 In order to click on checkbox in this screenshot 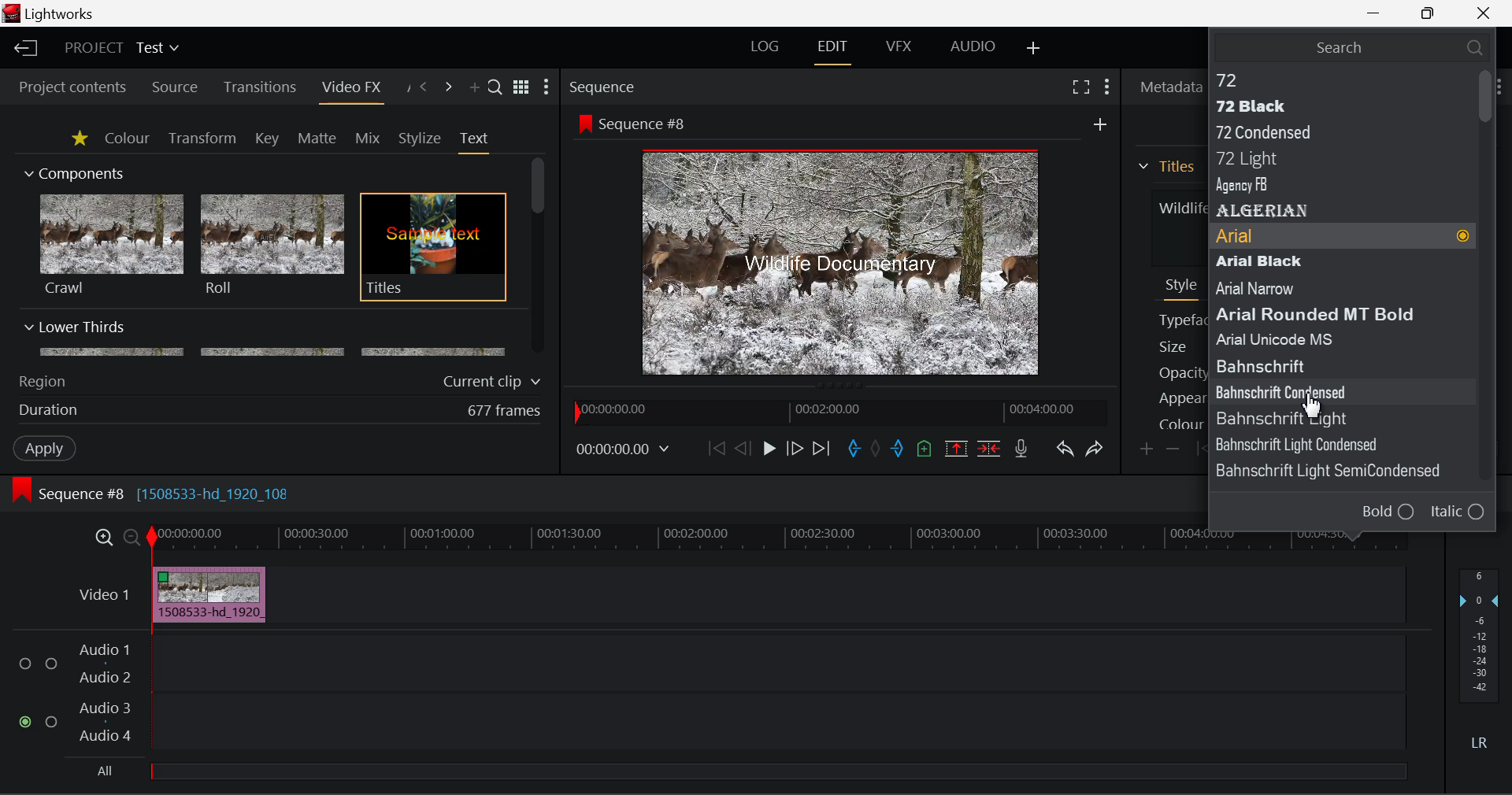, I will do `click(54, 723)`.